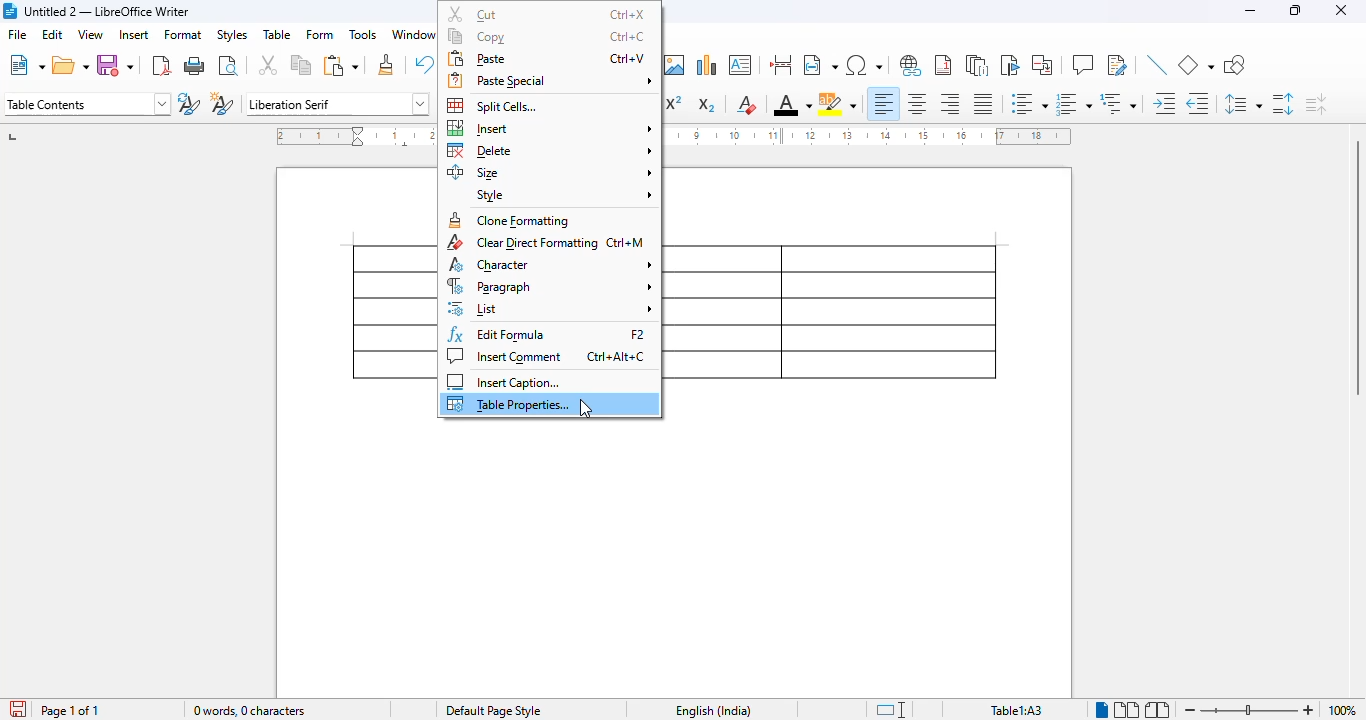 Image resolution: width=1366 pixels, height=720 pixels. Describe the element at coordinates (302, 66) in the screenshot. I see `copy` at that location.